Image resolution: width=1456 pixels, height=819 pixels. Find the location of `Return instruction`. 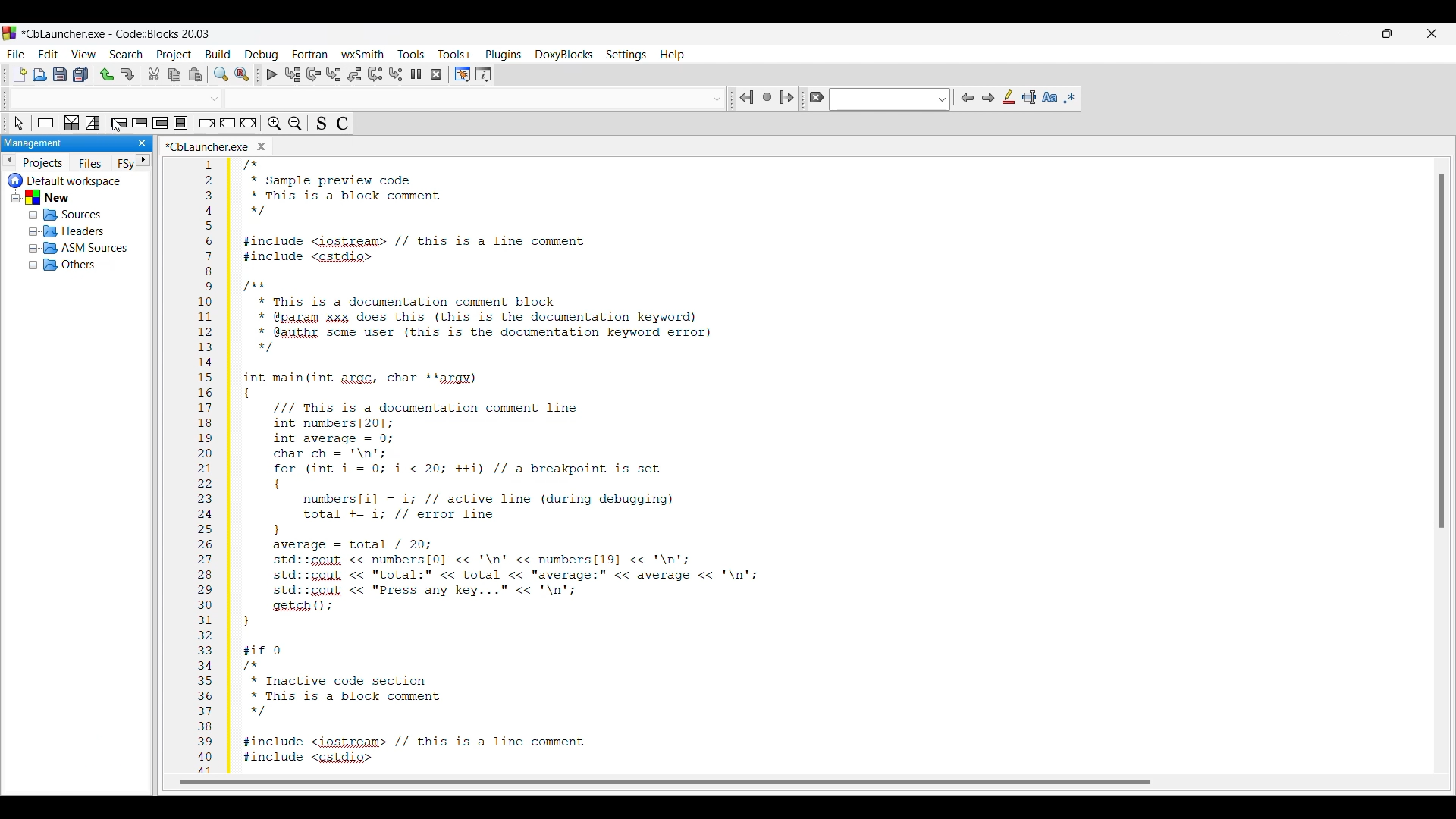

Return instruction is located at coordinates (249, 123).